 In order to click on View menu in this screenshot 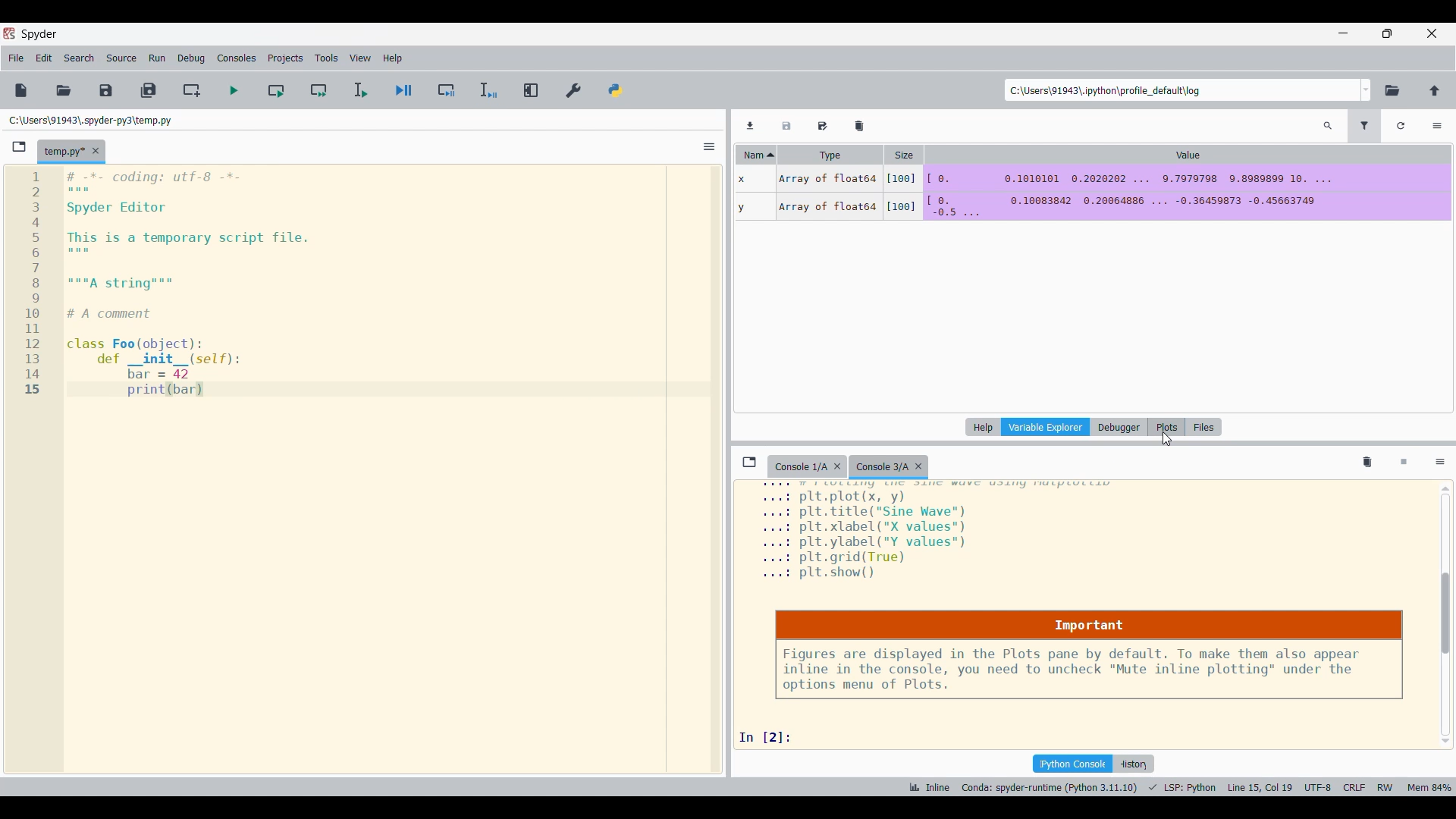, I will do `click(361, 58)`.